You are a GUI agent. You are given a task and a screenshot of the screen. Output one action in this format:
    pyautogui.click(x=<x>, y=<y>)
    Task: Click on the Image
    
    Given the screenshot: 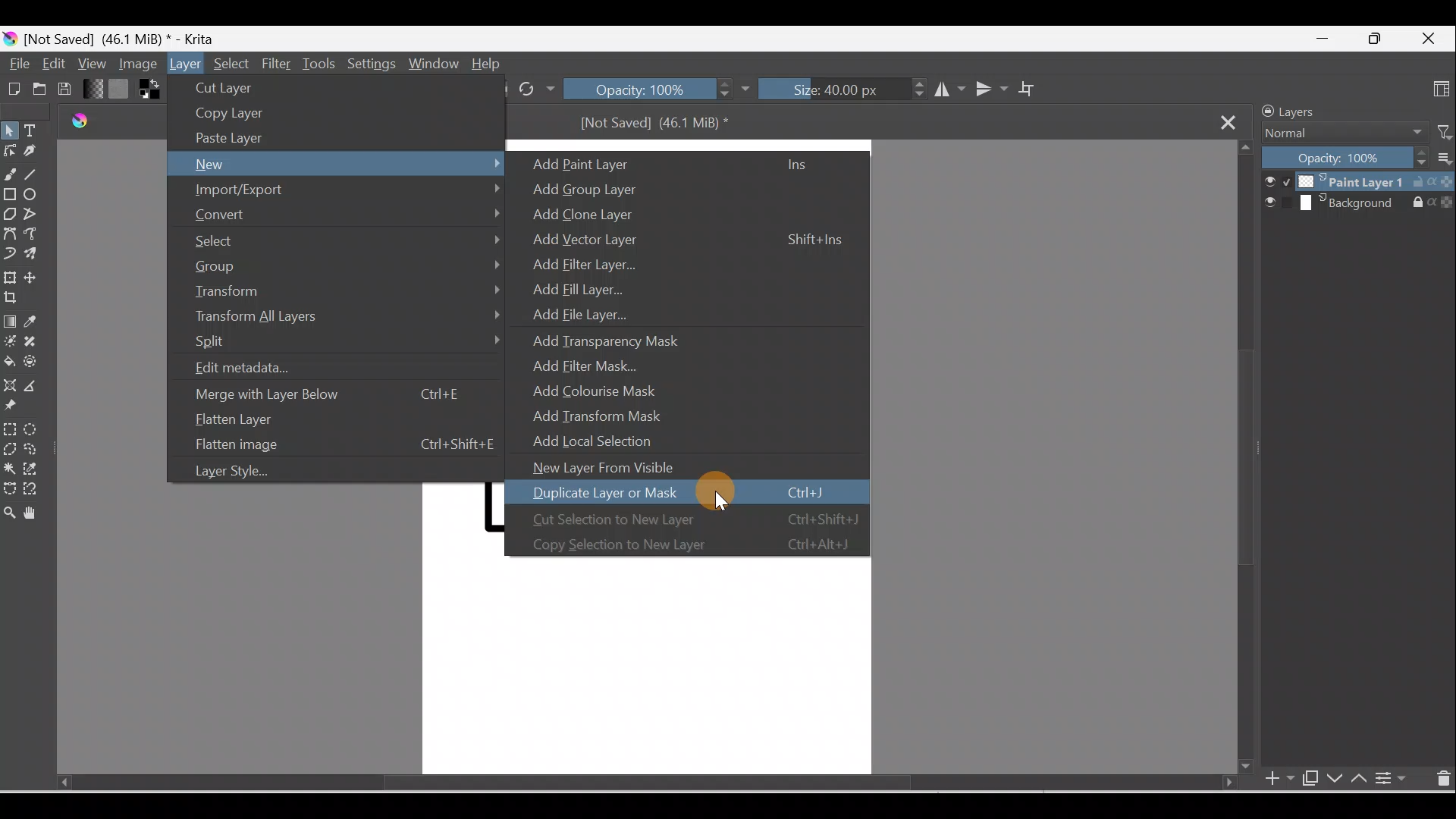 What is the action you would take?
    pyautogui.click(x=135, y=64)
    